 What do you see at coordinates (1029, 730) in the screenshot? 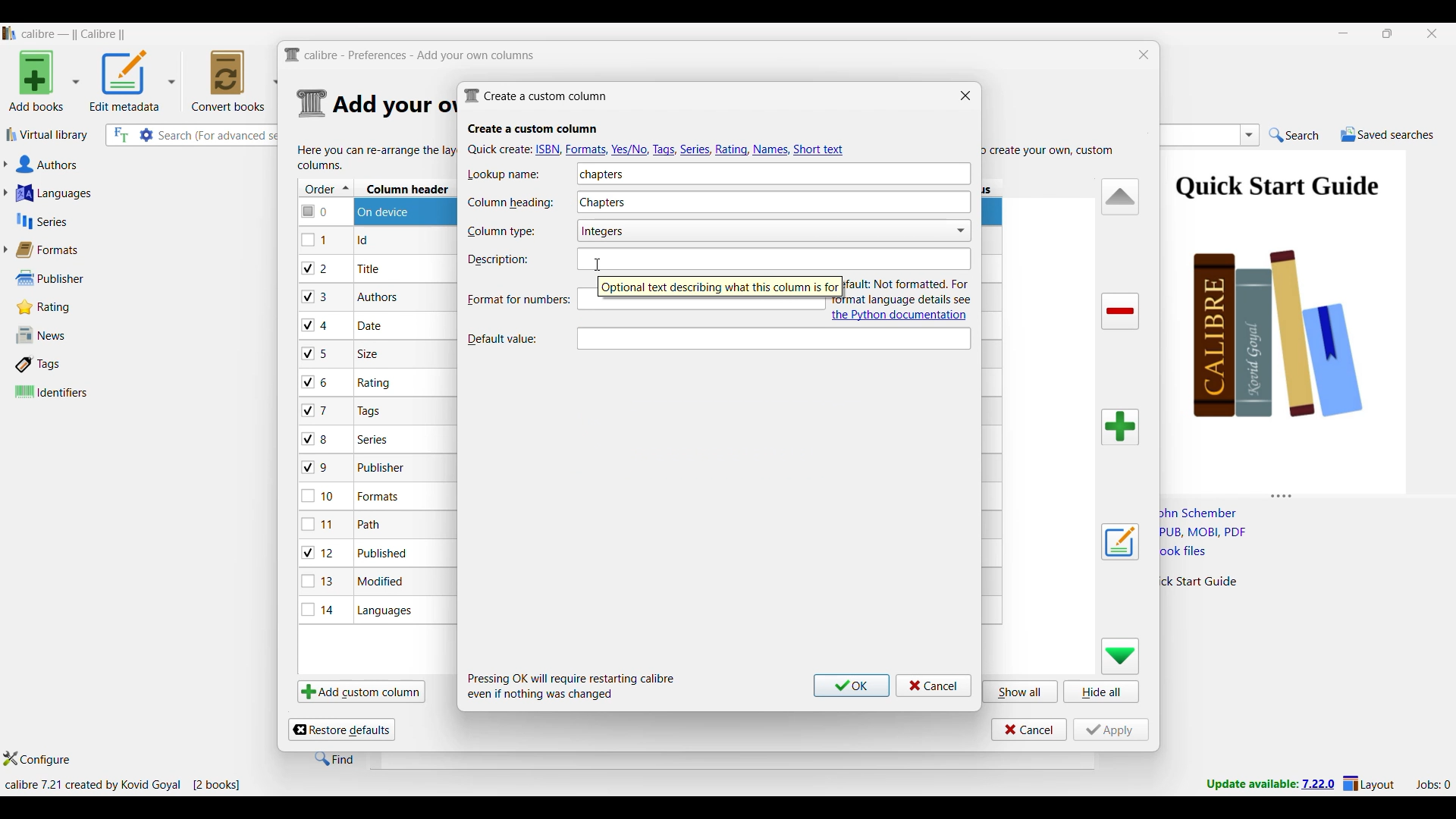
I see `Cancel` at bounding box center [1029, 730].